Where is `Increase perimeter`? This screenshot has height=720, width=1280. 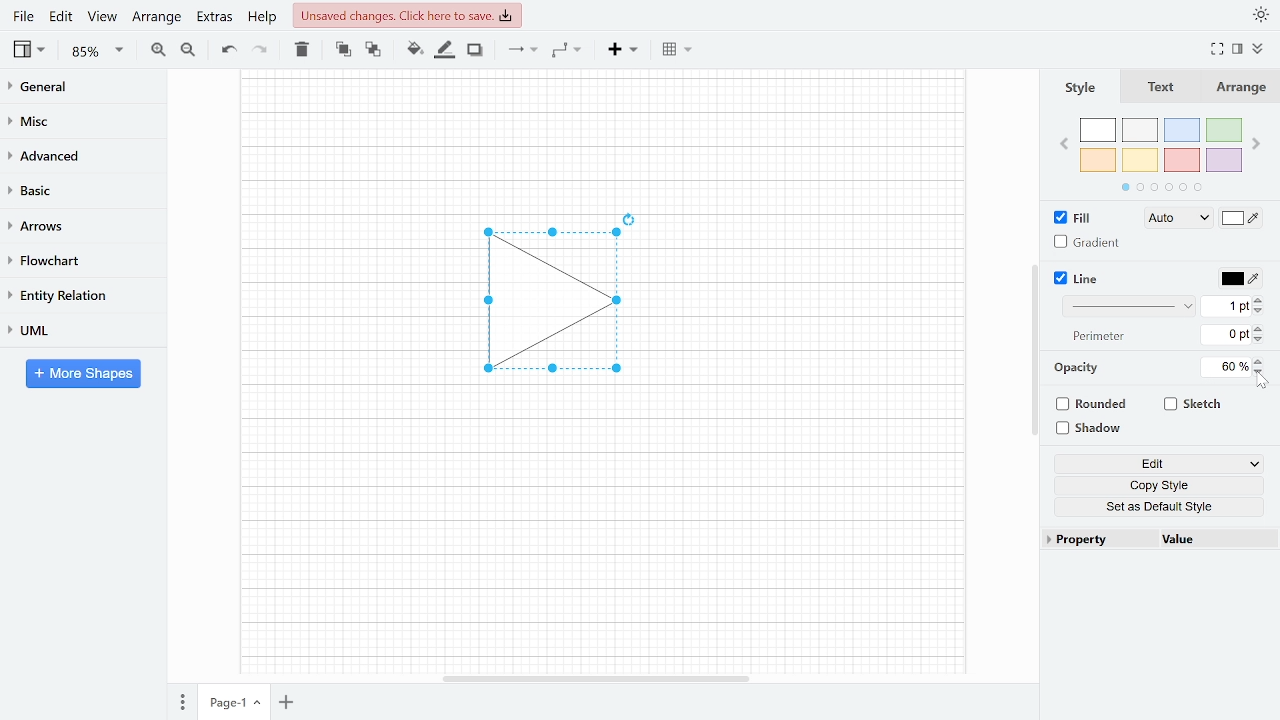
Increase perimeter is located at coordinates (1261, 329).